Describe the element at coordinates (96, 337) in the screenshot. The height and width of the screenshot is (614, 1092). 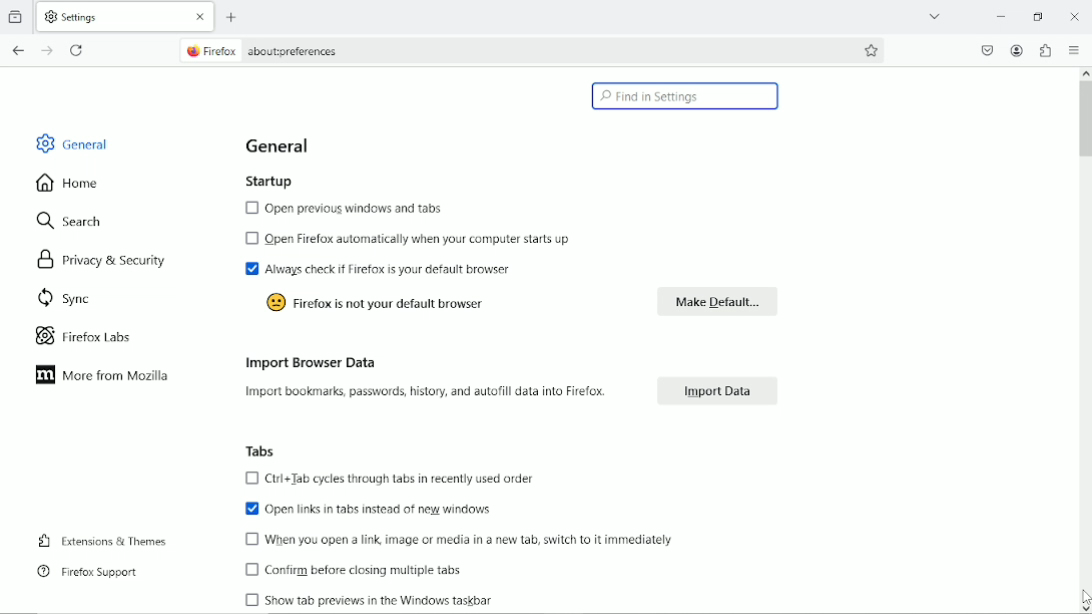
I see `Firefox labs` at that location.